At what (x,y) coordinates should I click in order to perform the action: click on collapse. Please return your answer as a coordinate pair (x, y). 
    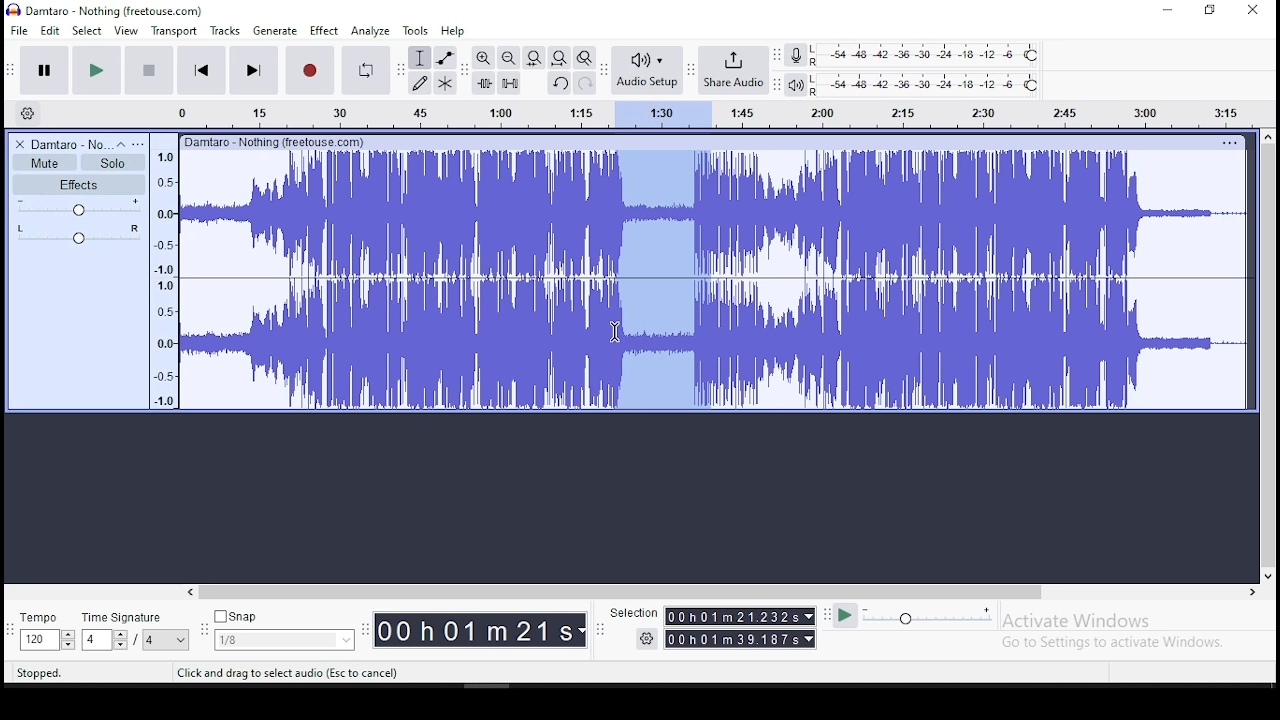
    Looking at the image, I should click on (120, 144).